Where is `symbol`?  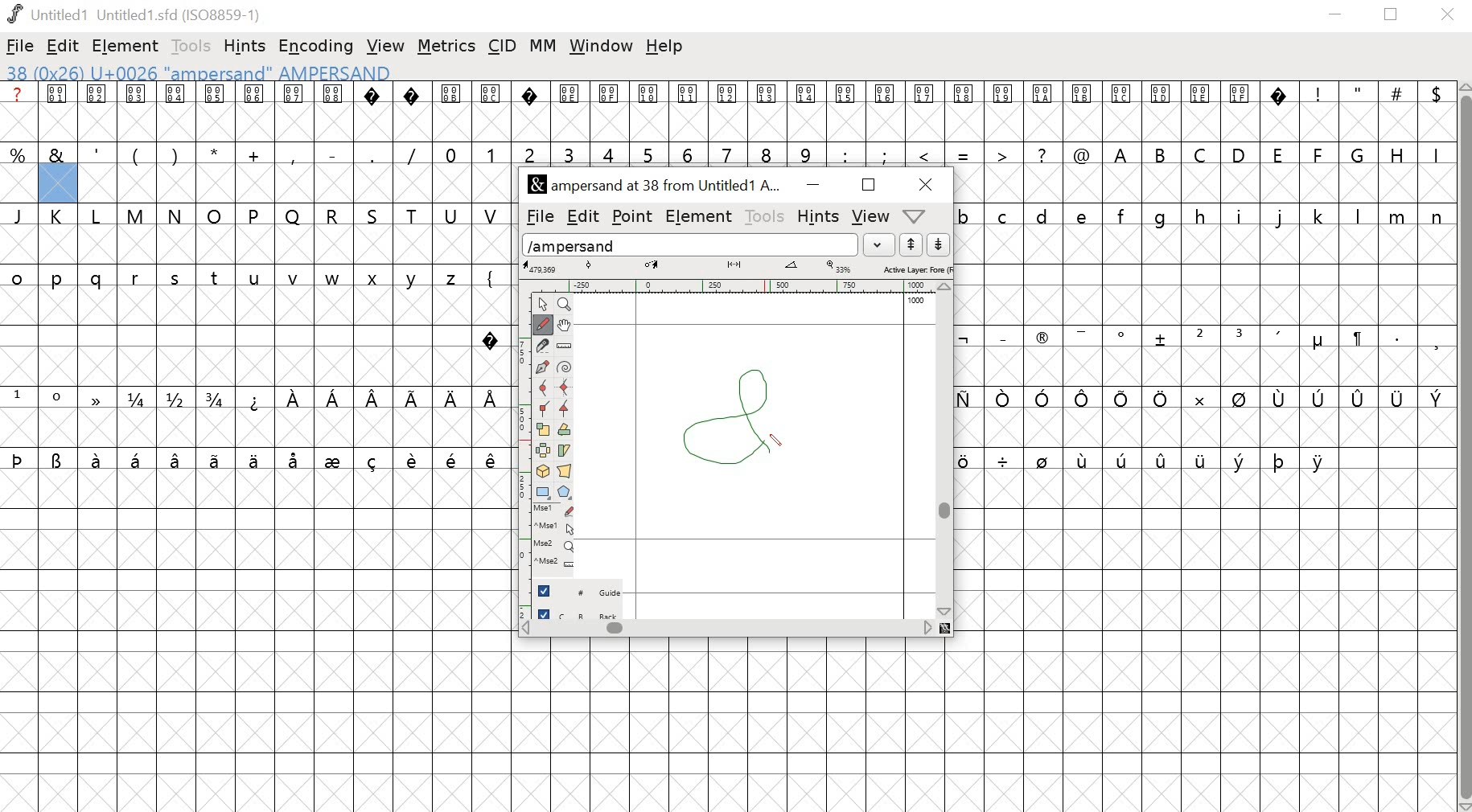 symbol is located at coordinates (19, 458).